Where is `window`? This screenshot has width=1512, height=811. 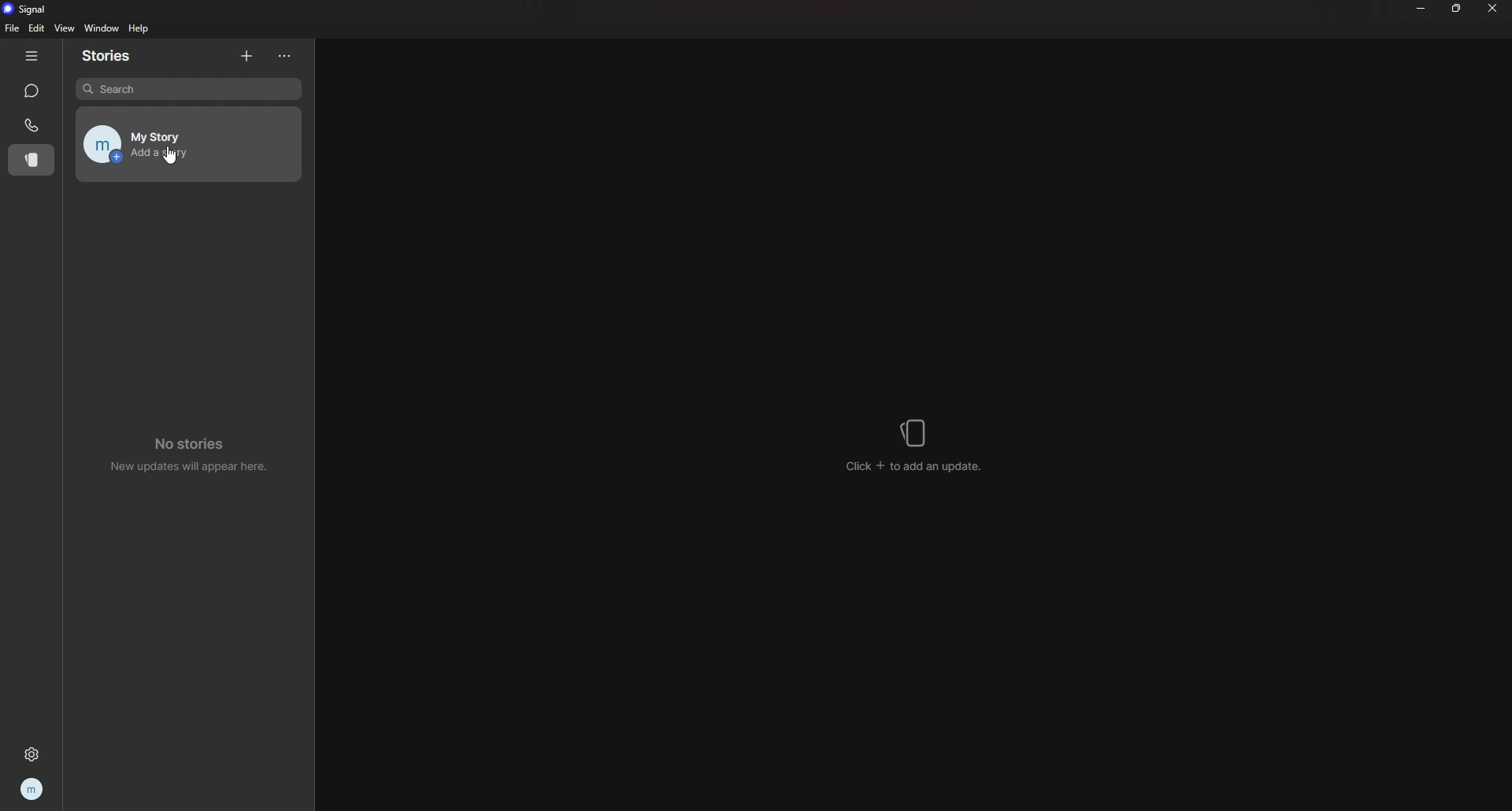 window is located at coordinates (101, 29).